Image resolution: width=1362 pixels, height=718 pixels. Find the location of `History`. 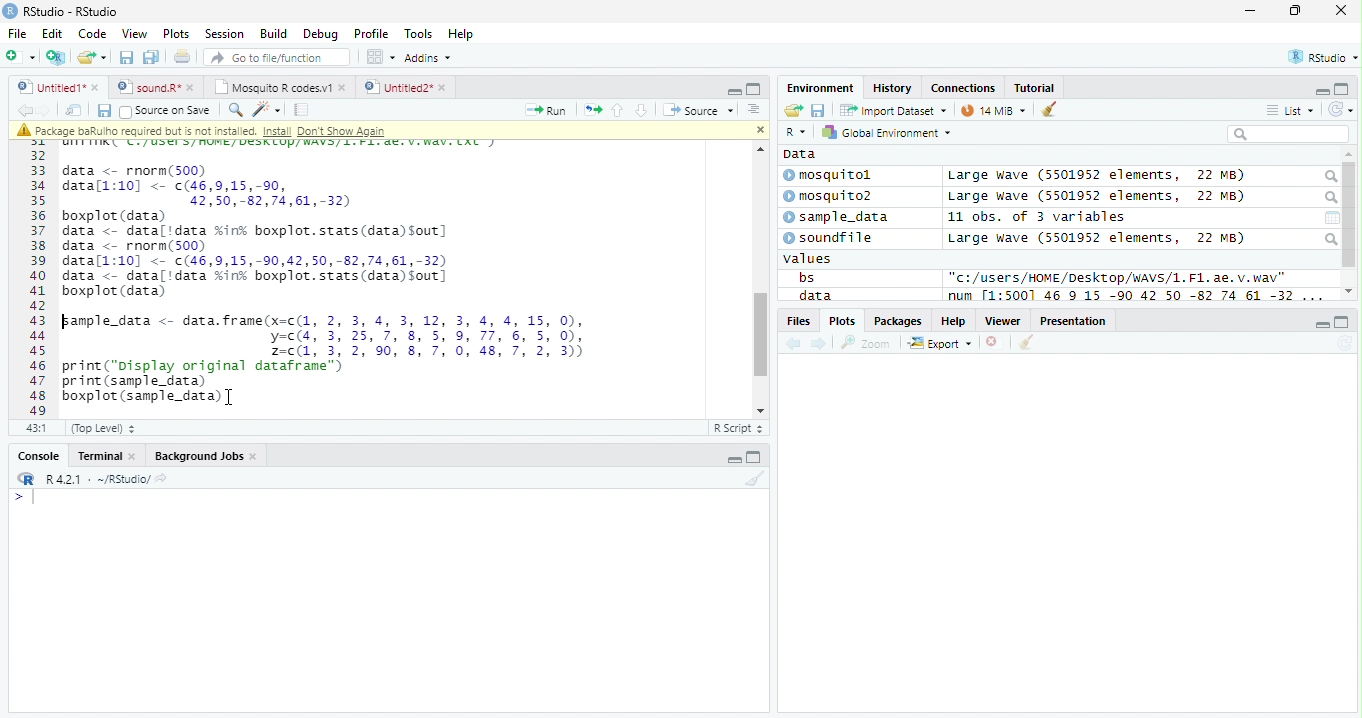

History is located at coordinates (892, 88).